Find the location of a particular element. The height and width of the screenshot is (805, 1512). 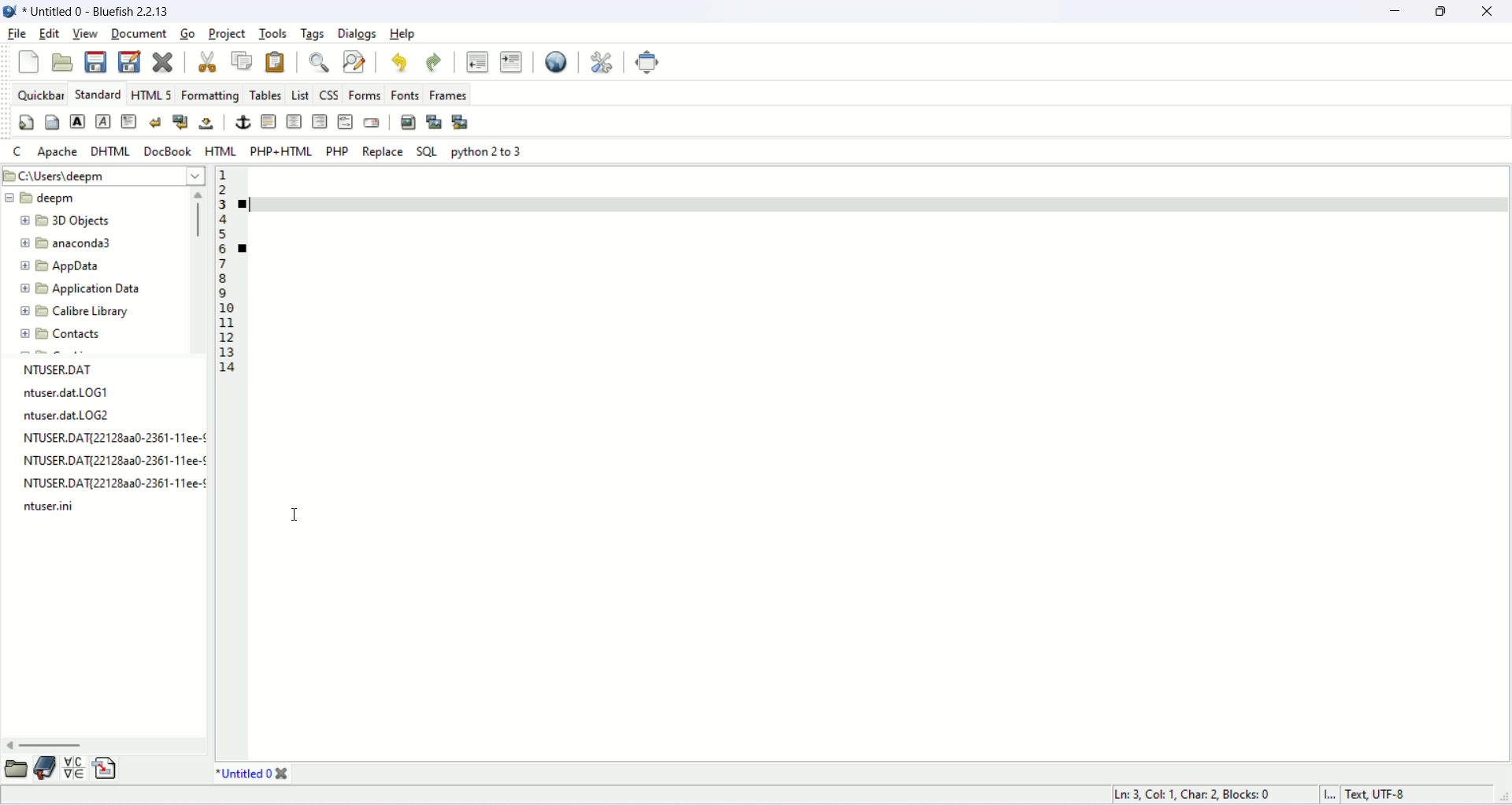

fullscreen is located at coordinates (645, 61).